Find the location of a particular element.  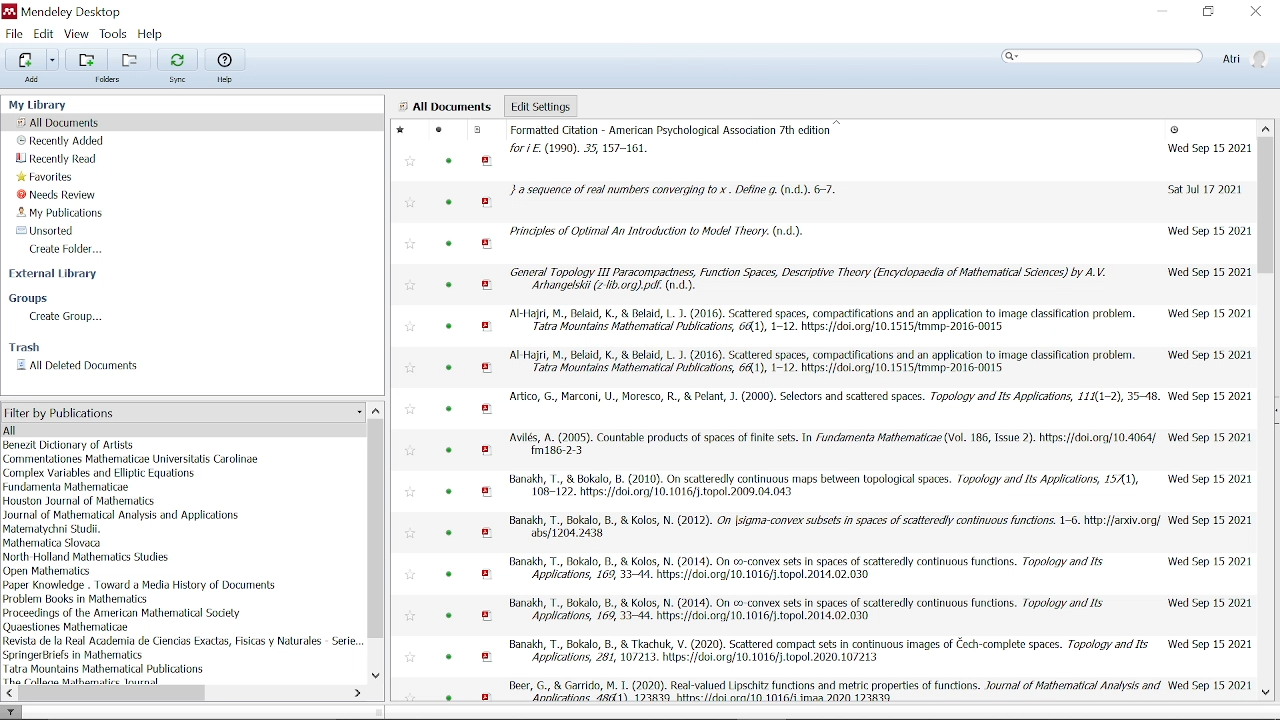

citation is located at coordinates (835, 688).